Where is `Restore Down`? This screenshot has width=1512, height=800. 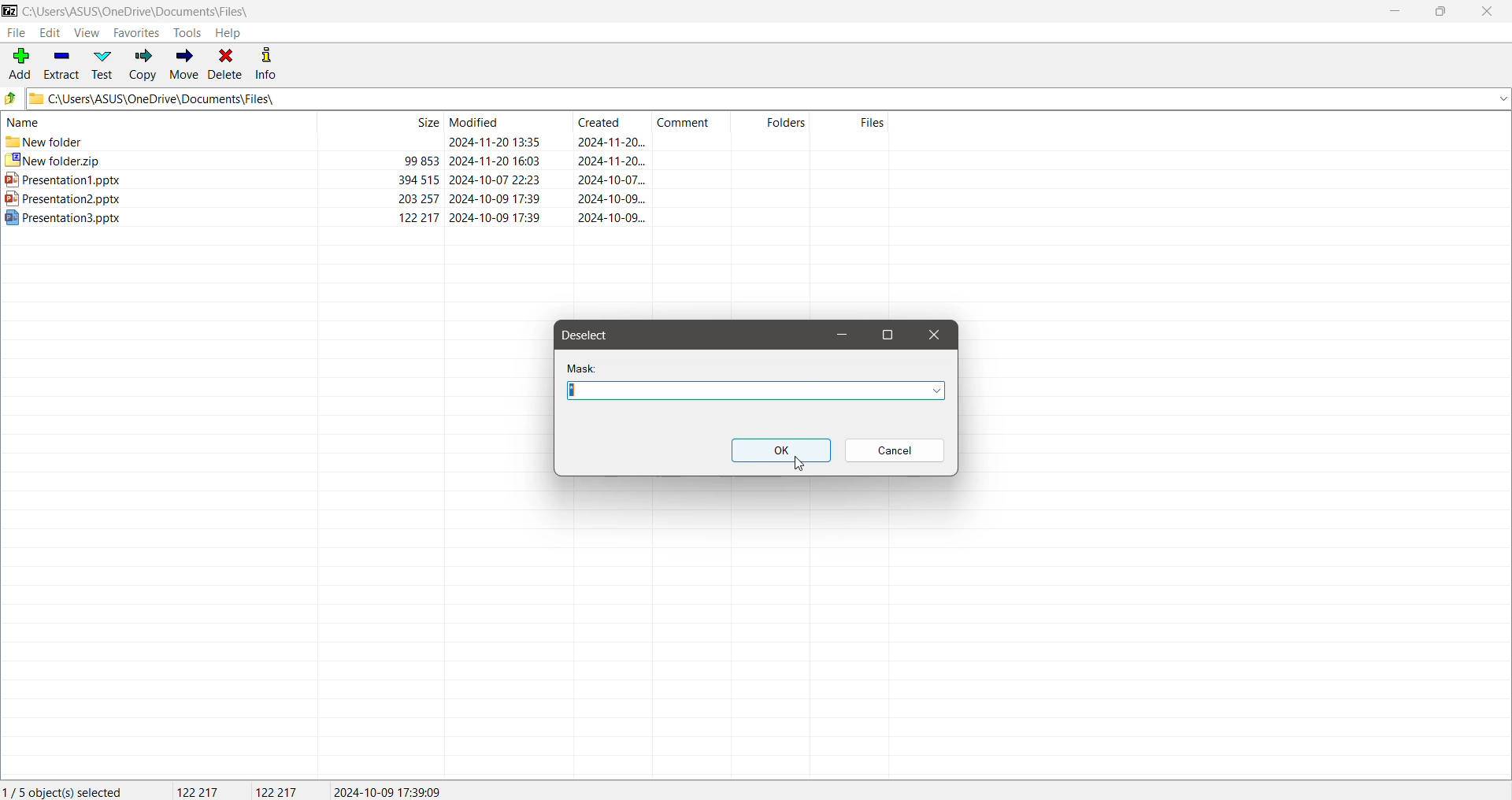 Restore Down is located at coordinates (1442, 13).